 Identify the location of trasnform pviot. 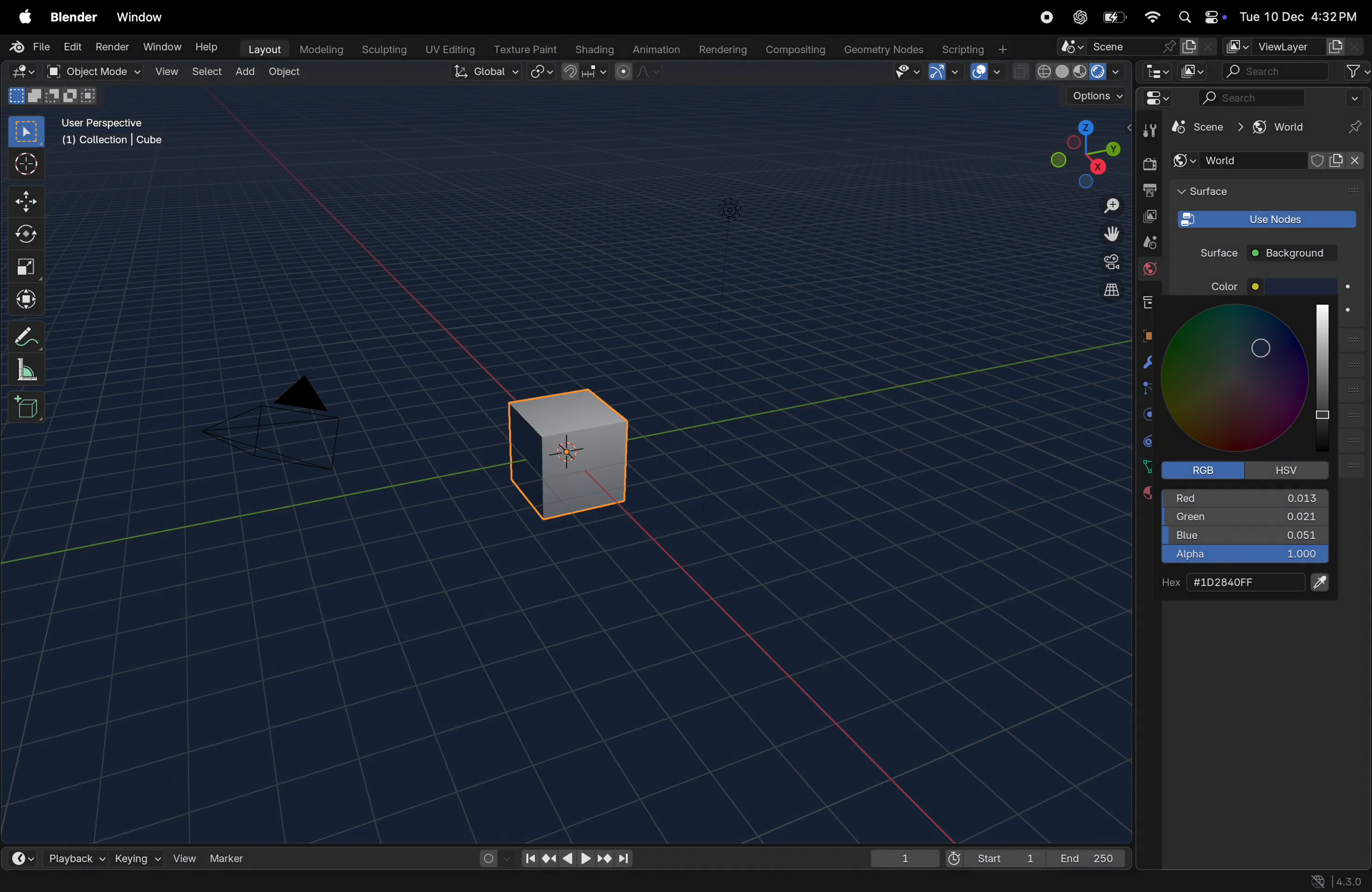
(543, 71).